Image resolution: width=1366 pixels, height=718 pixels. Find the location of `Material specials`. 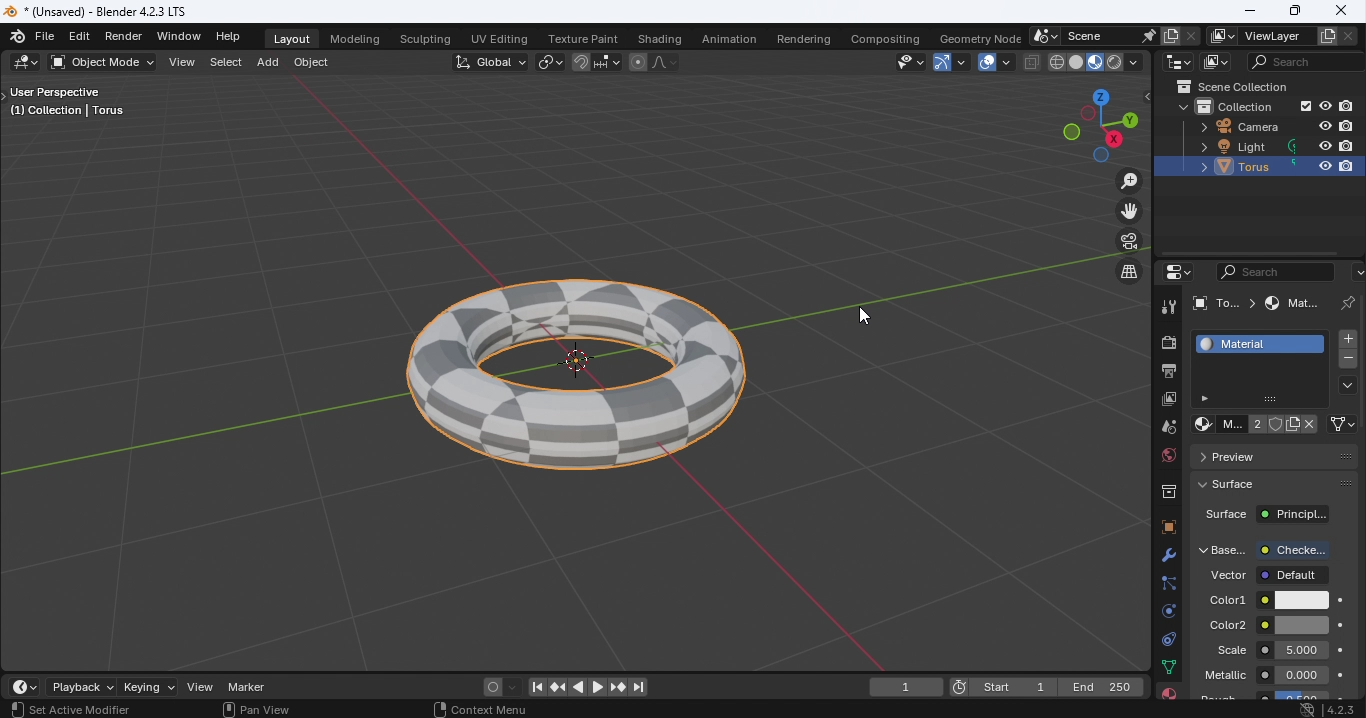

Material specials is located at coordinates (1345, 386).